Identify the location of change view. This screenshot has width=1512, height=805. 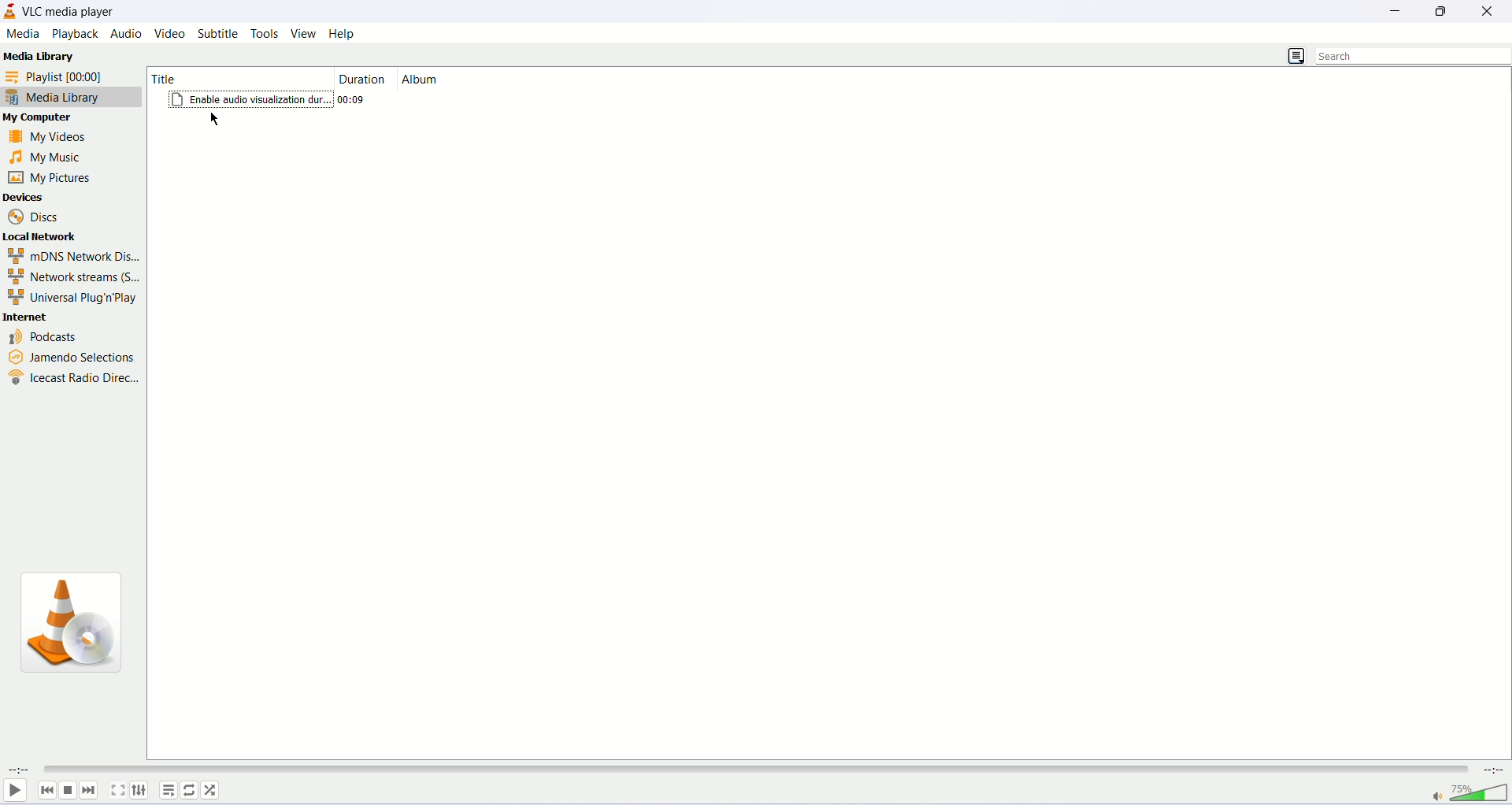
(1295, 57).